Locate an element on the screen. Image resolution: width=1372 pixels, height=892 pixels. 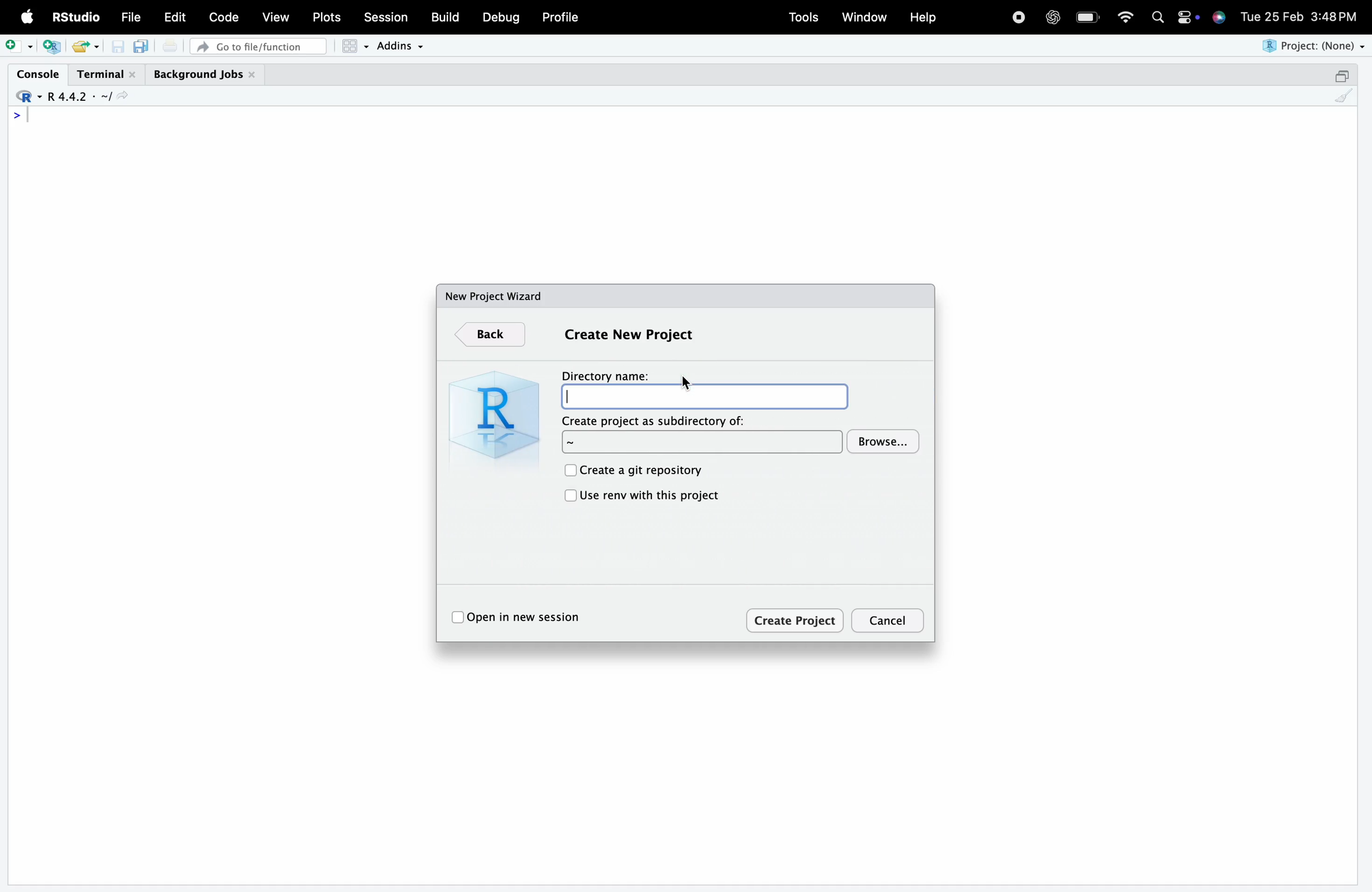
Plots is located at coordinates (325, 17).